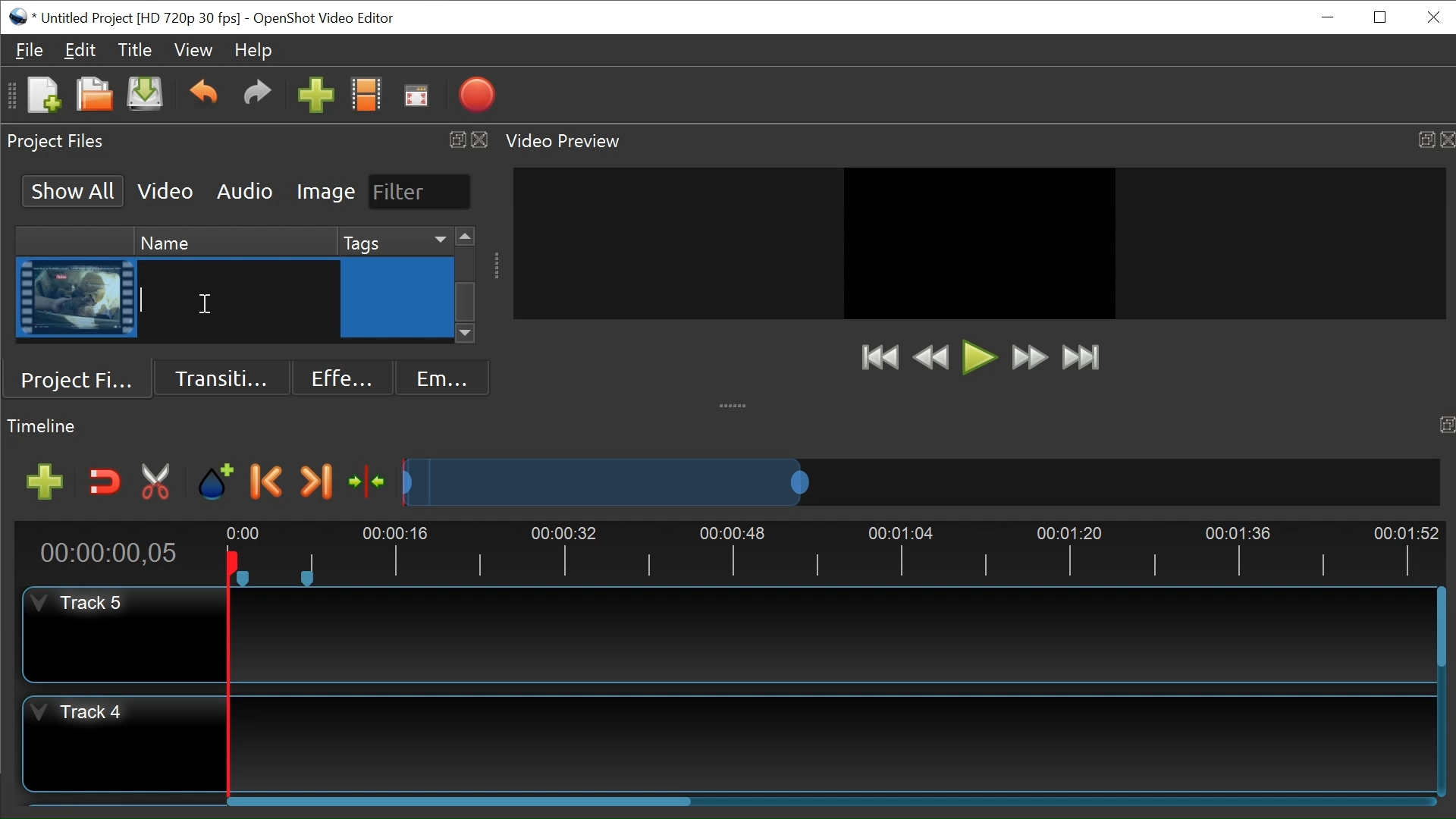  Describe the element at coordinates (439, 377) in the screenshot. I see `Emoji` at that location.